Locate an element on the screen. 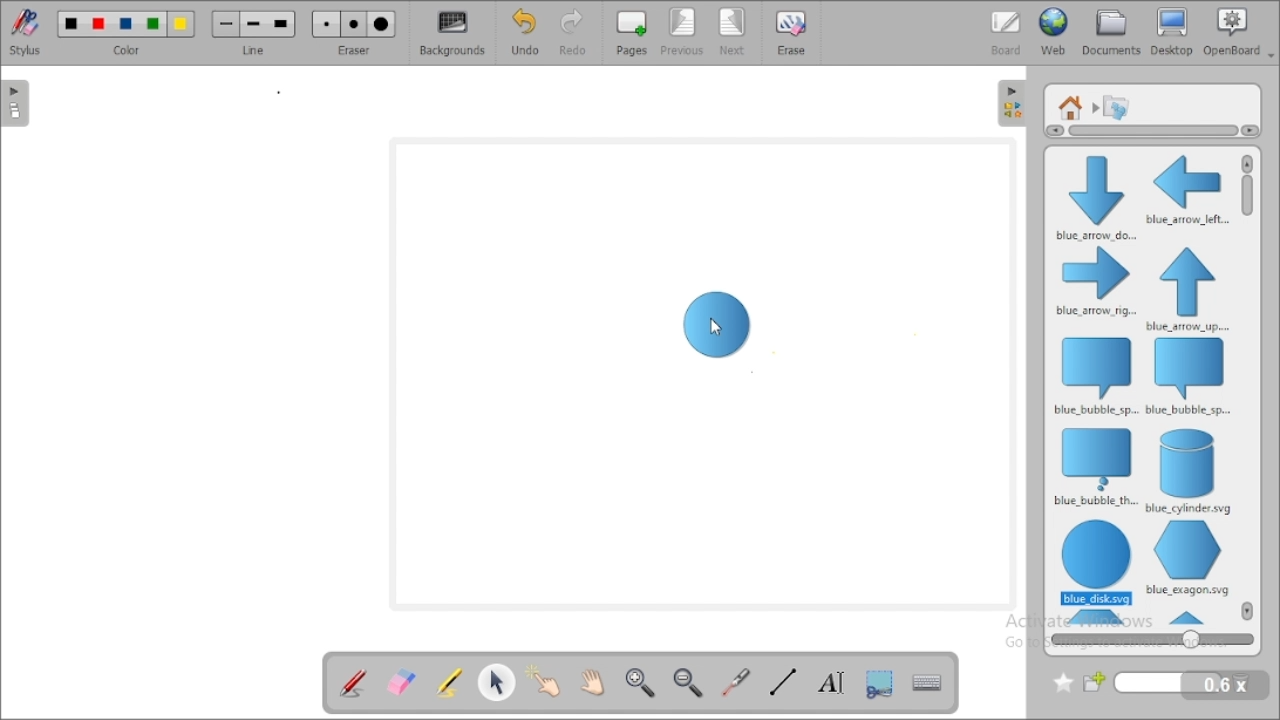 The image size is (1280, 720). highlight is located at coordinates (448, 681).